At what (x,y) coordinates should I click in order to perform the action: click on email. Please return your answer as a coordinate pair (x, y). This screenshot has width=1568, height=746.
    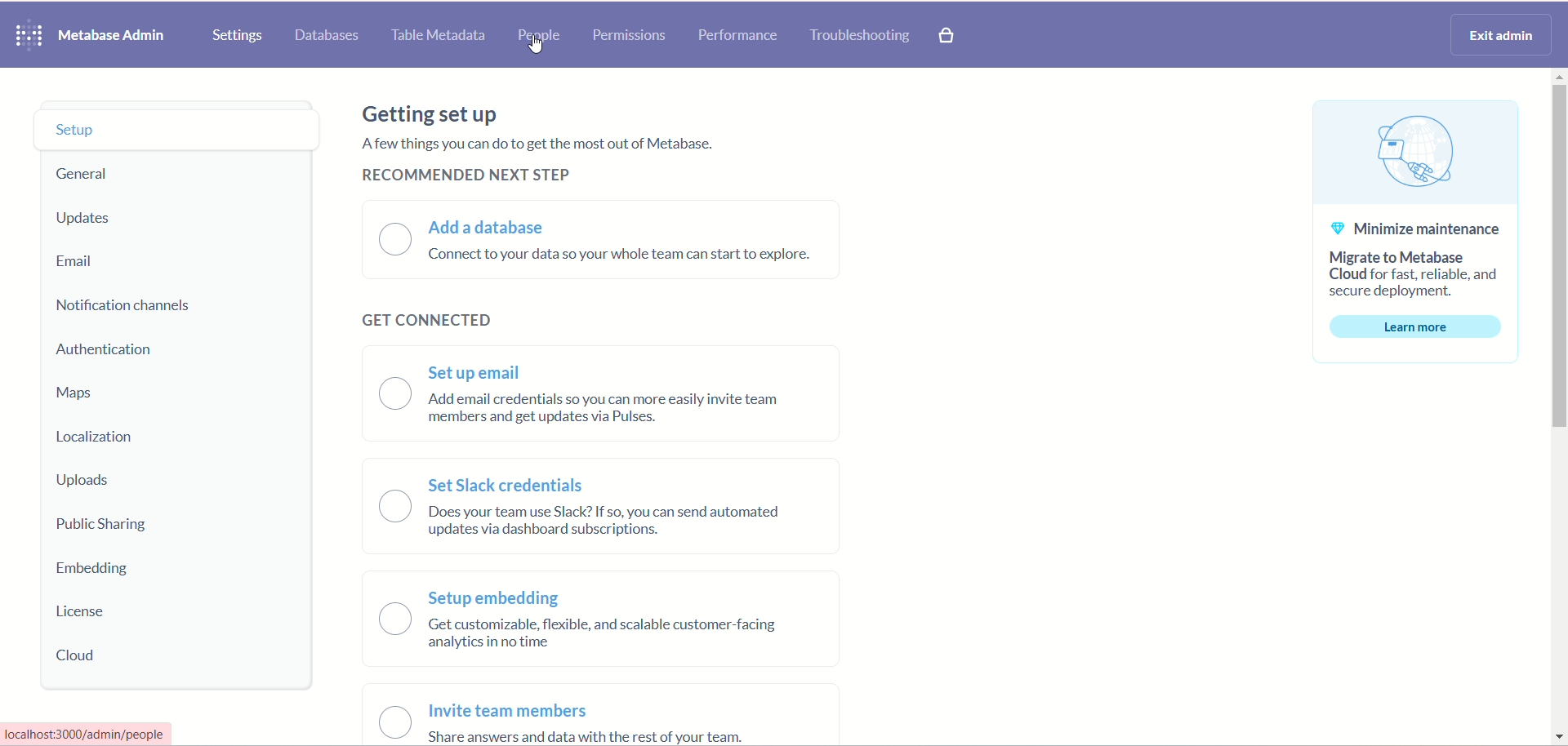
    Looking at the image, I should click on (82, 264).